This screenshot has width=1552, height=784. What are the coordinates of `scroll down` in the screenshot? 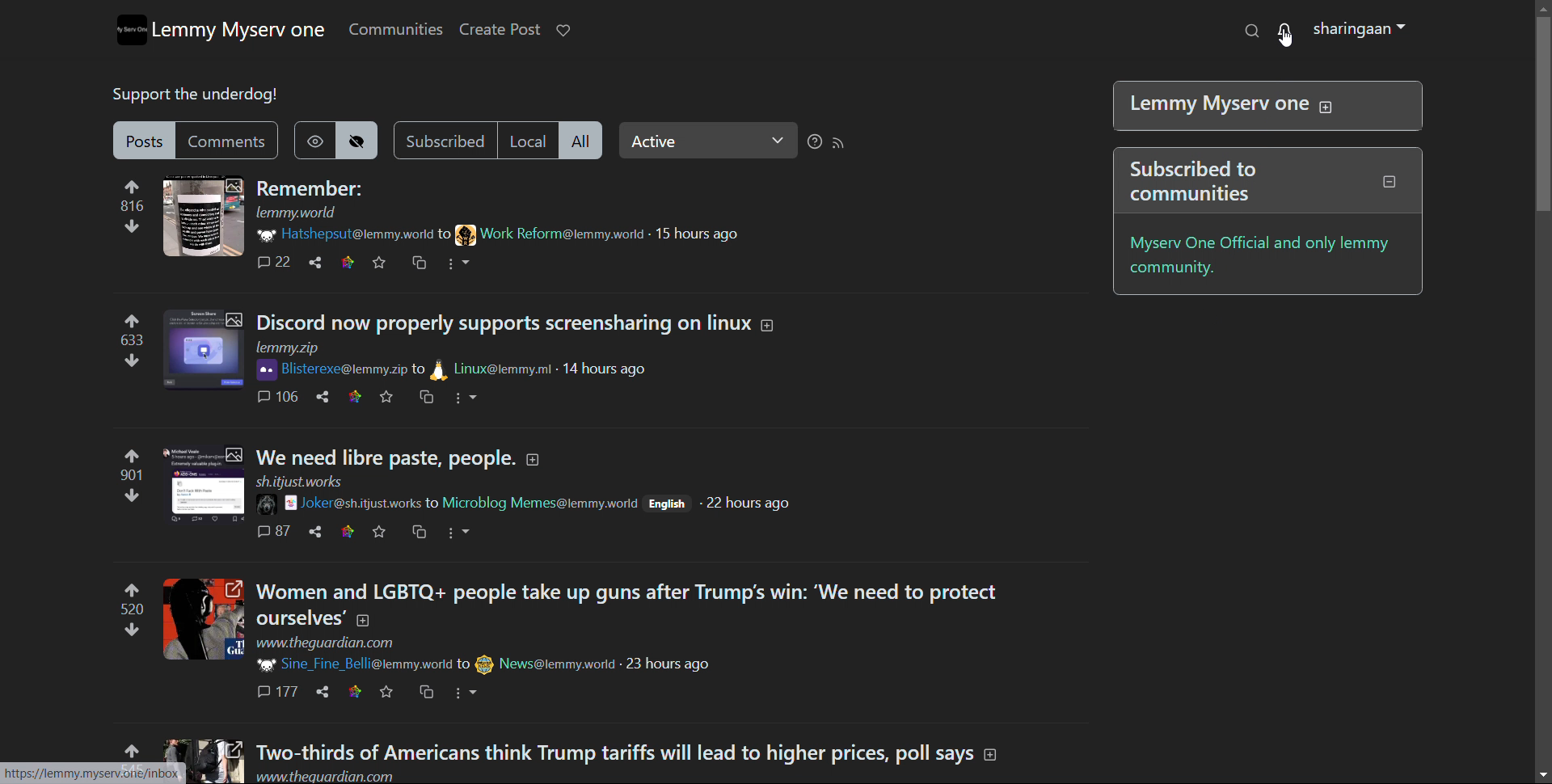 It's located at (1542, 774).